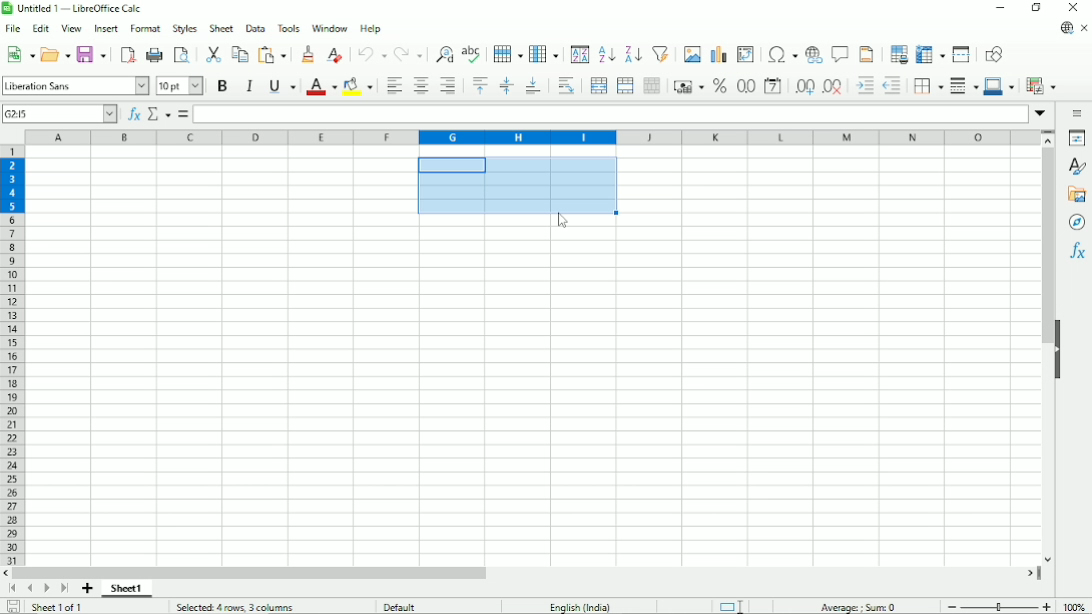 This screenshot has width=1092, height=614. What do you see at coordinates (1075, 137) in the screenshot?
I see `Properties` at bounding box center [1075, 137].